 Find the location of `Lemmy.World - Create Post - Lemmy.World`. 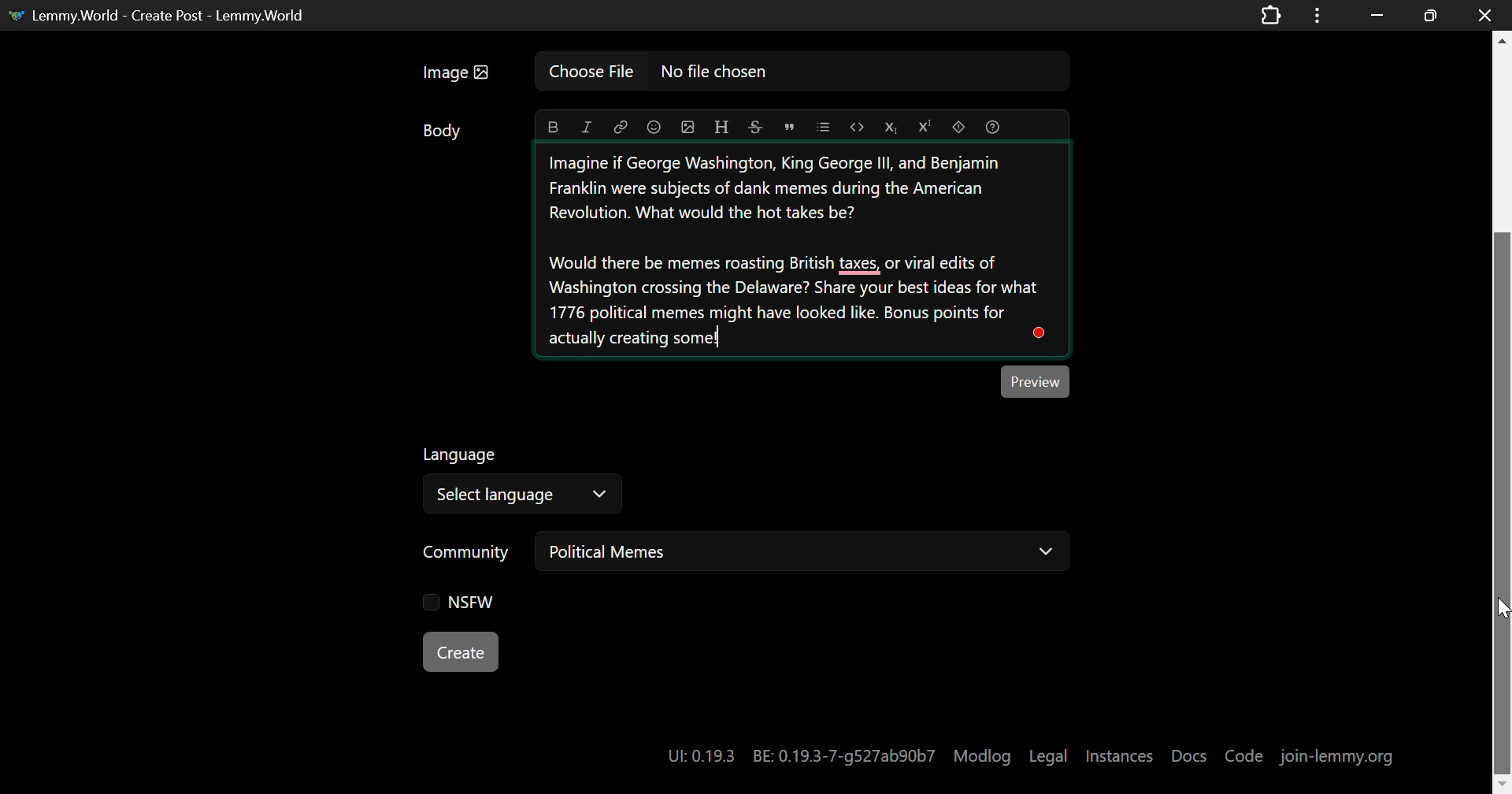

Lemmy.World - Create Post - Lemmy.World is located at coordinates (169, 15).